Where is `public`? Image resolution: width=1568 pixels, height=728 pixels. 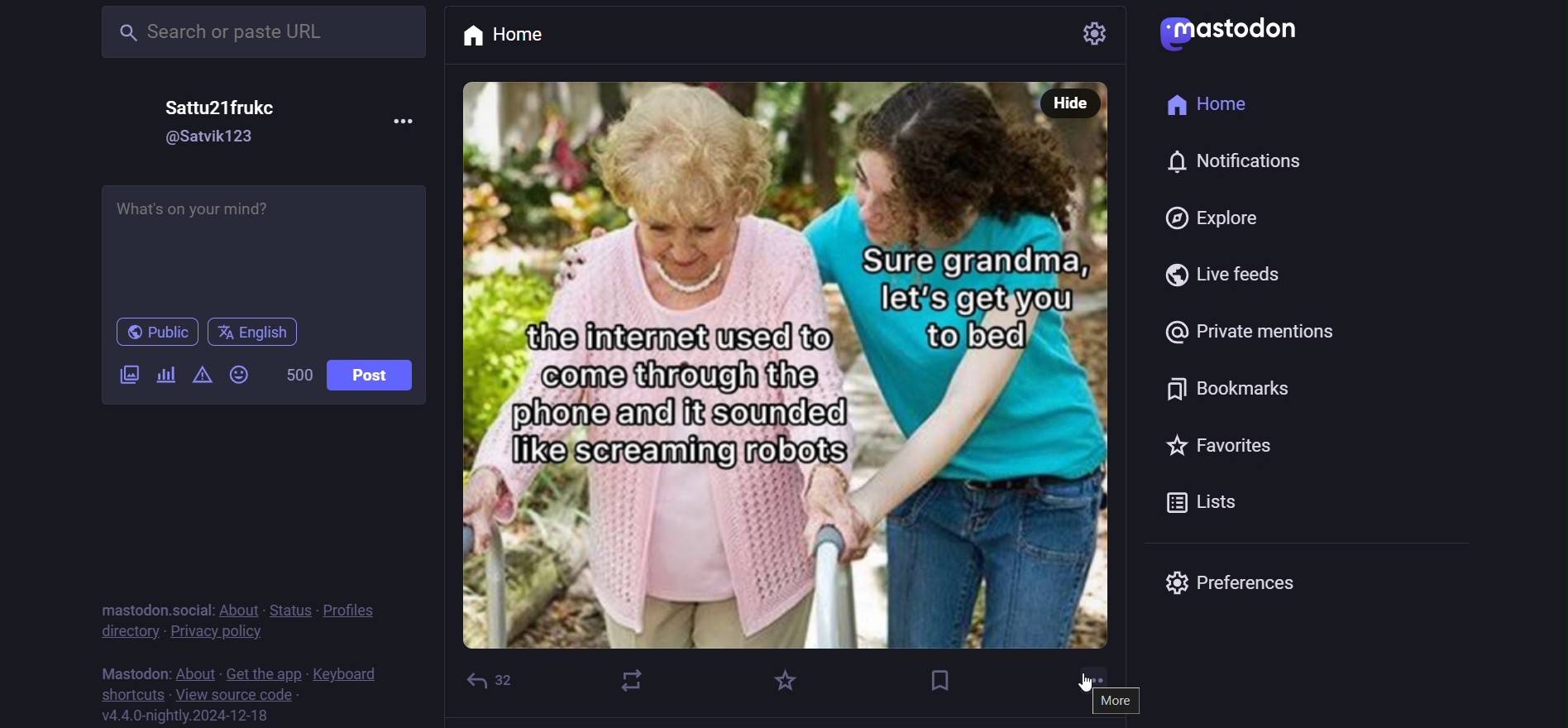
public is located at coordinates (158, 333).